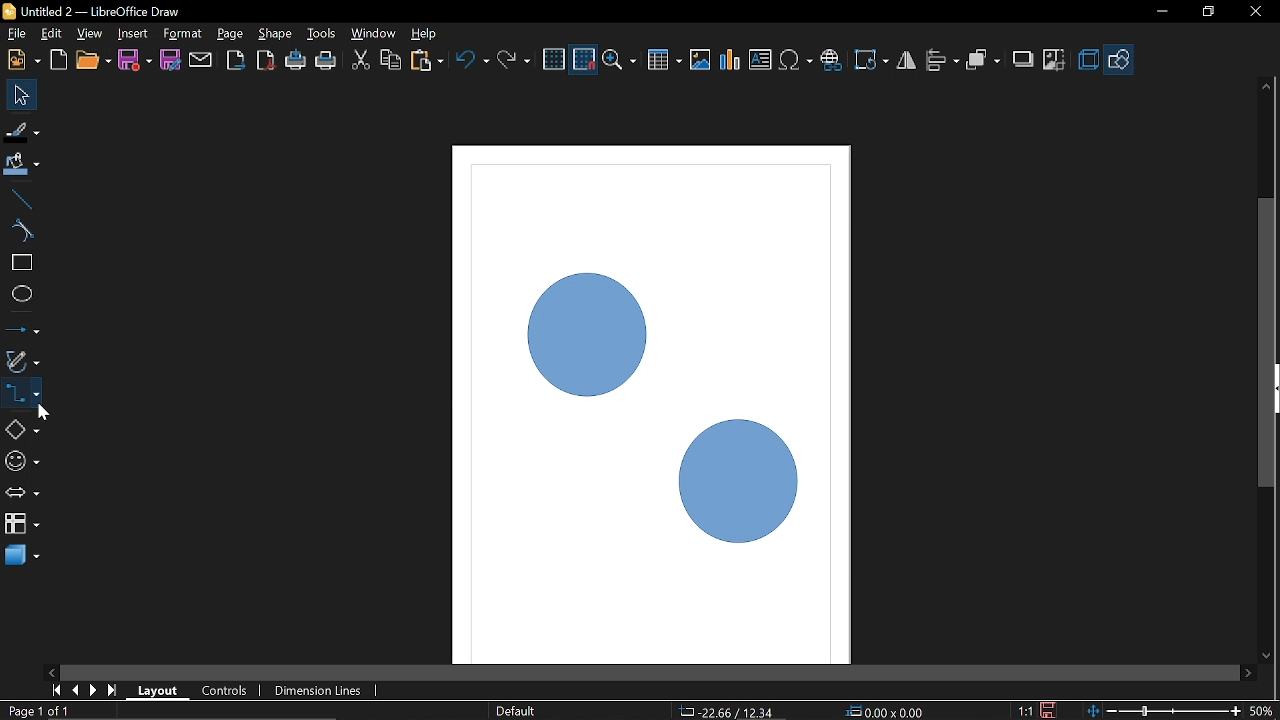  I want to click on Zoom, so click(622, 59).